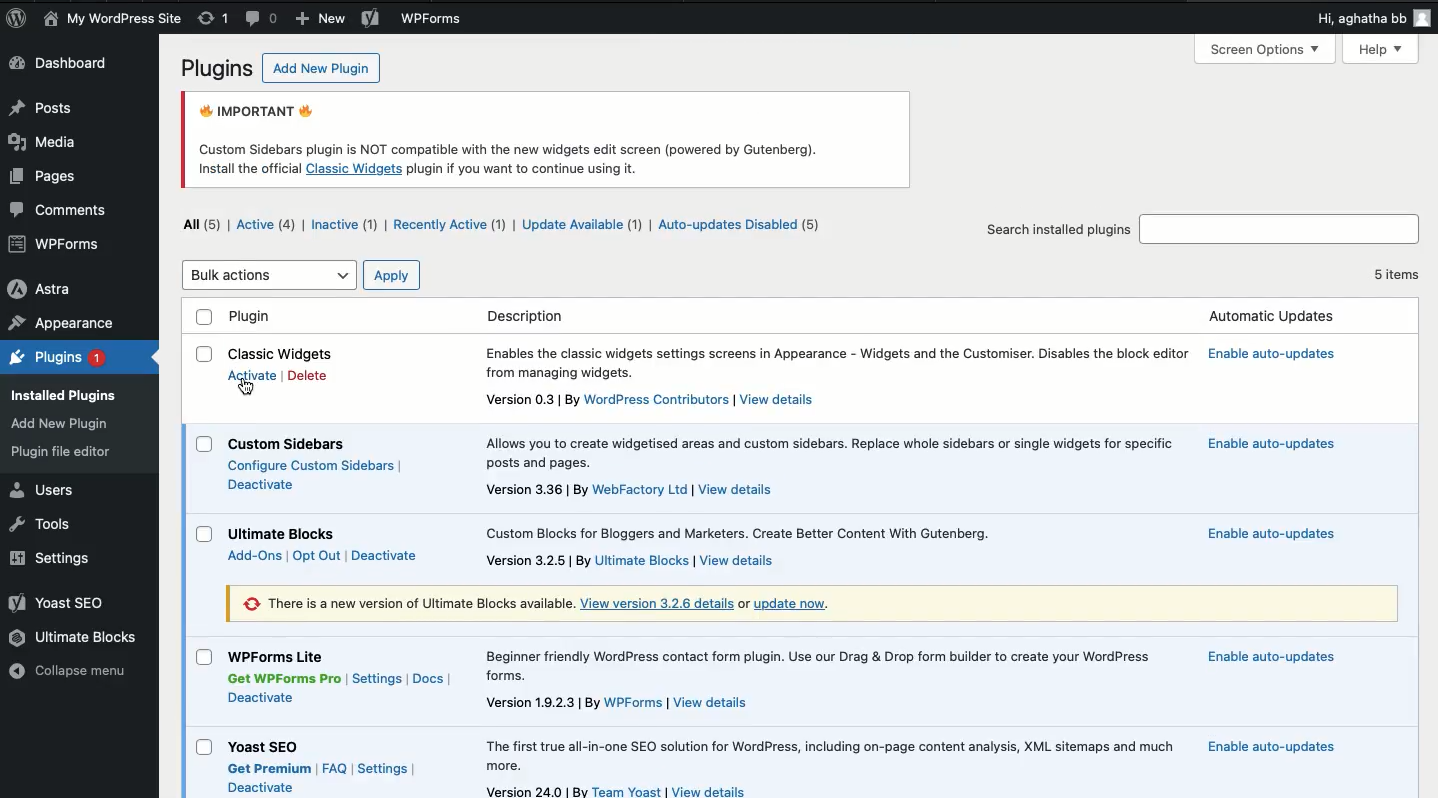  Describe the element at coordinates (640, 488) in the screenshot. I see `webfactory` at that location.